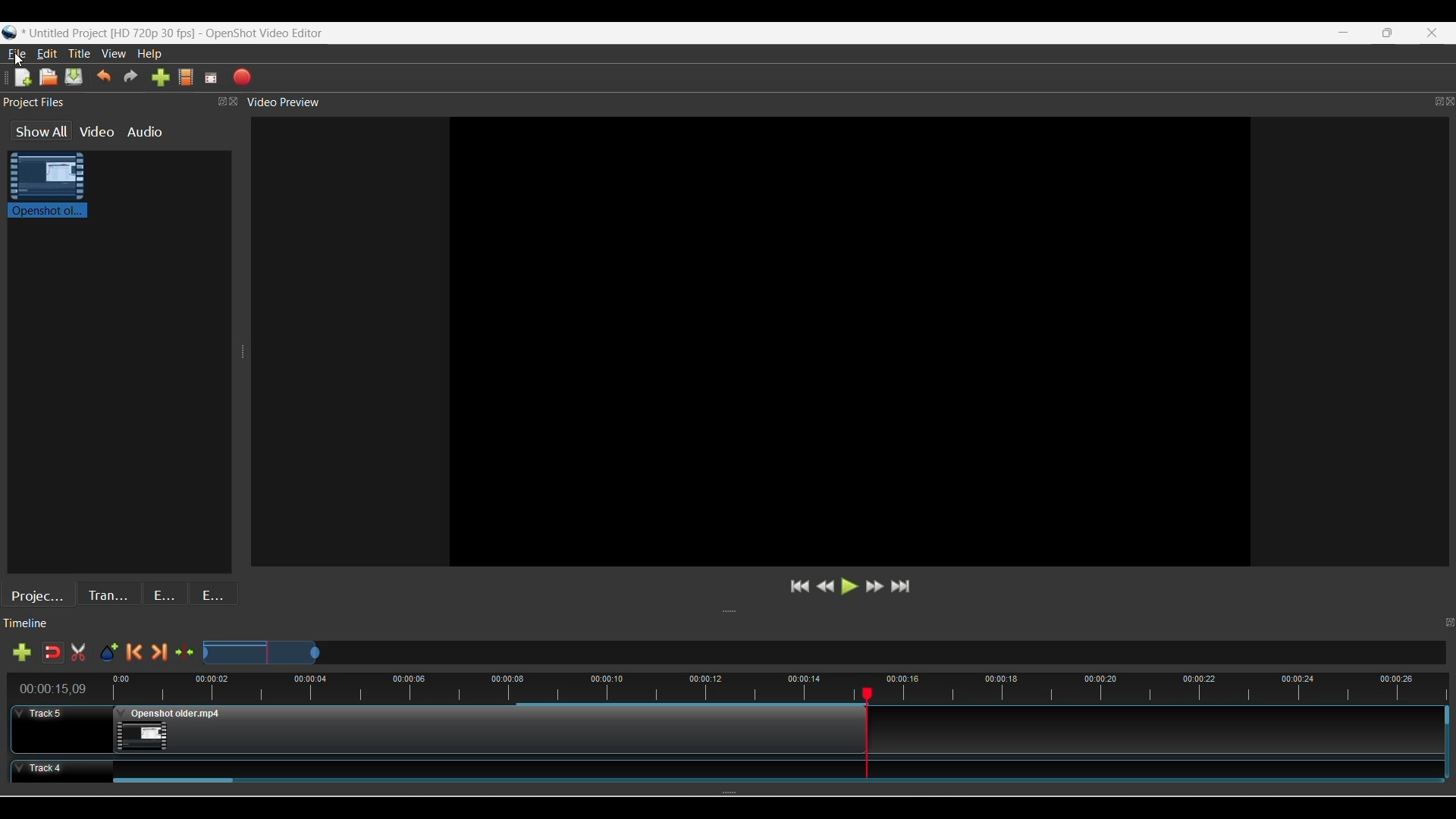 The image size is (1456, 819). Describe the element at coordinates (78, 652) in the screenshot. I see `Cut` at that location.